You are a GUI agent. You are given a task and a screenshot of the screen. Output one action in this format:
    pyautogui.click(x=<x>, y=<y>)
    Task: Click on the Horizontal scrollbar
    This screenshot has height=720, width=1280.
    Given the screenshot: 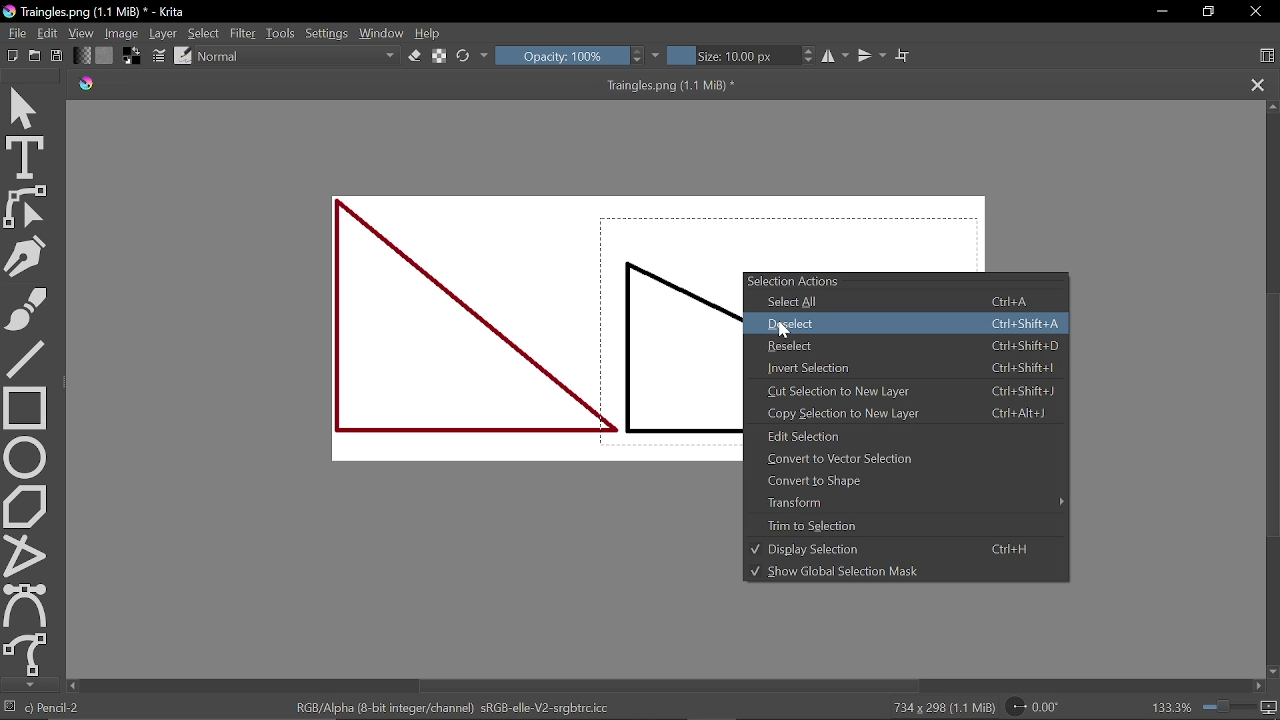 What is the action you would take?
    pyautogui.click(x=670, y=685)
    